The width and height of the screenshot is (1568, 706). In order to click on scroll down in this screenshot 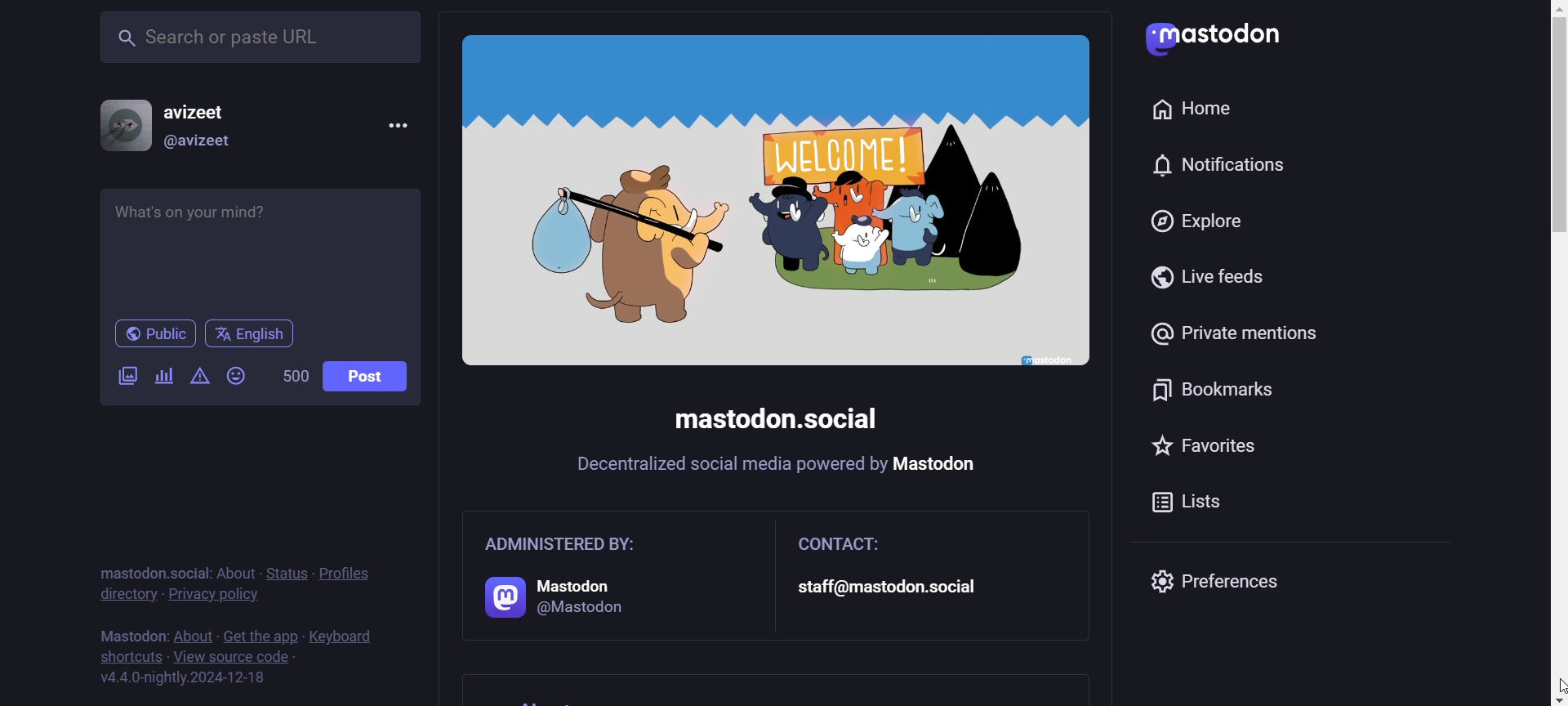, I will do `click(1548, 700)`.